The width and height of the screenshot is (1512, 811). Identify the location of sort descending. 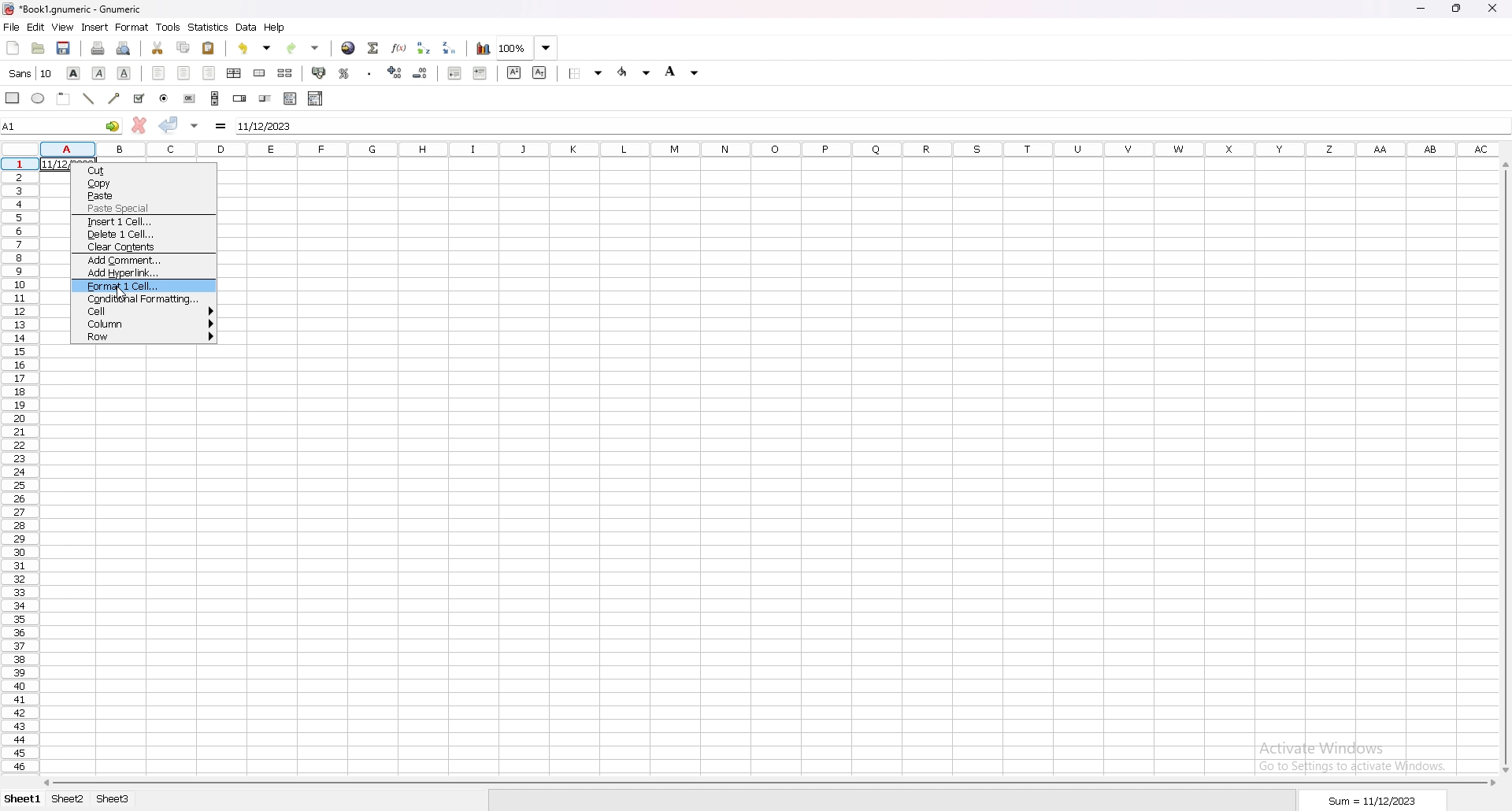
(451, 47).